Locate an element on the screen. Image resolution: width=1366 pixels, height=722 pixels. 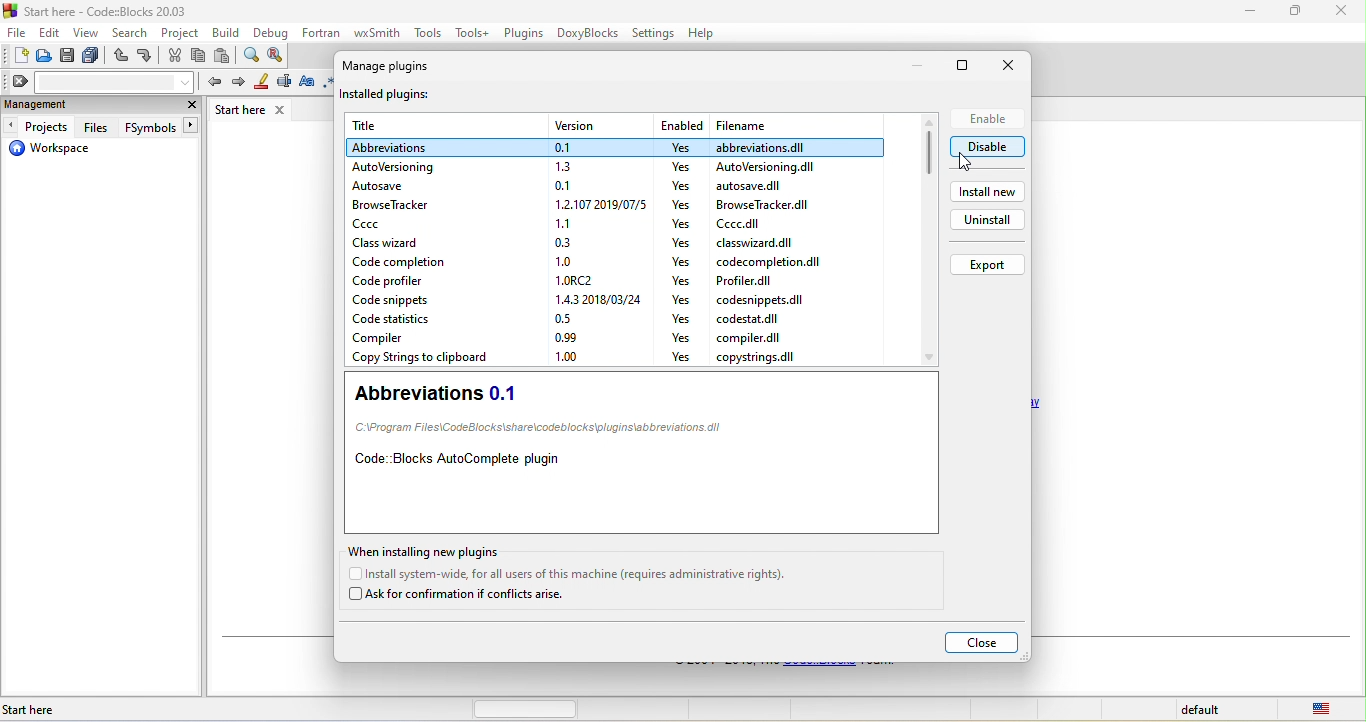
maximize is located at coordinates (964, 67).